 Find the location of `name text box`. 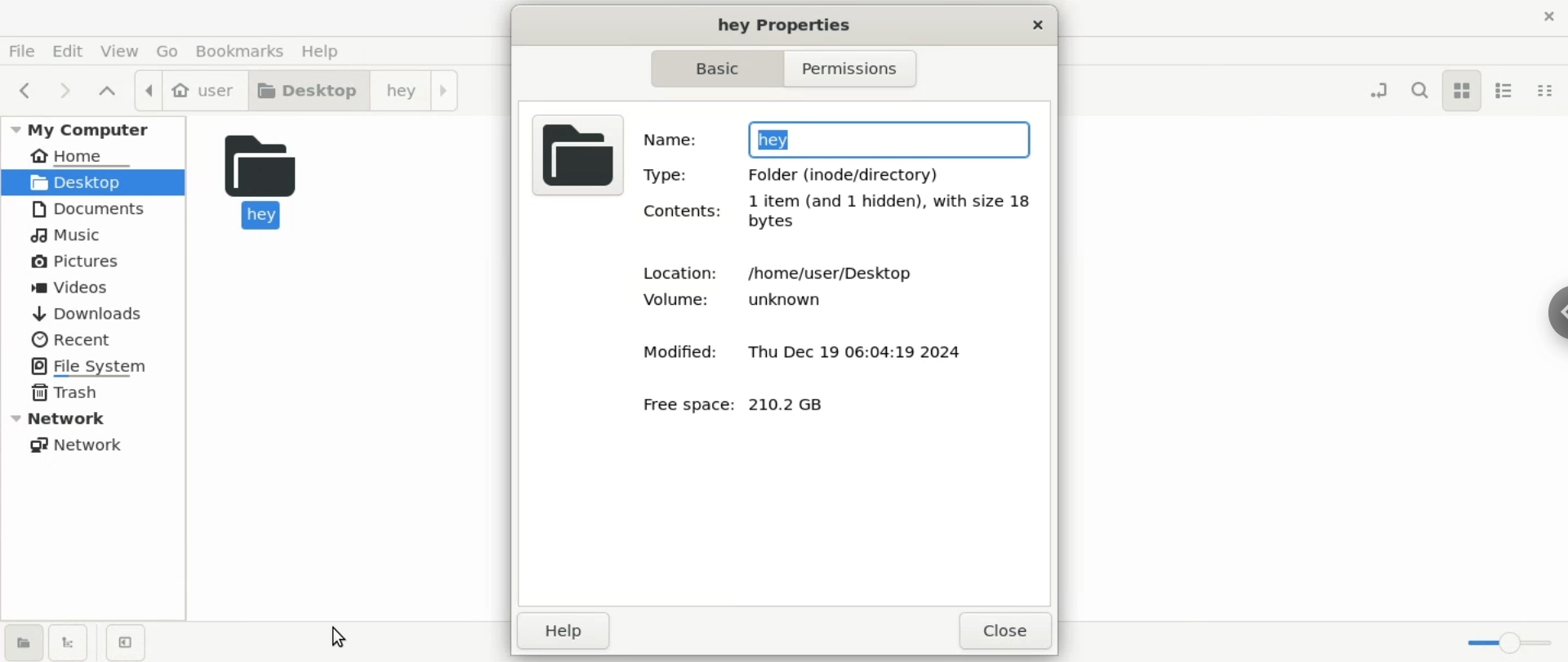

name text box is located at coordinates (893, 137).